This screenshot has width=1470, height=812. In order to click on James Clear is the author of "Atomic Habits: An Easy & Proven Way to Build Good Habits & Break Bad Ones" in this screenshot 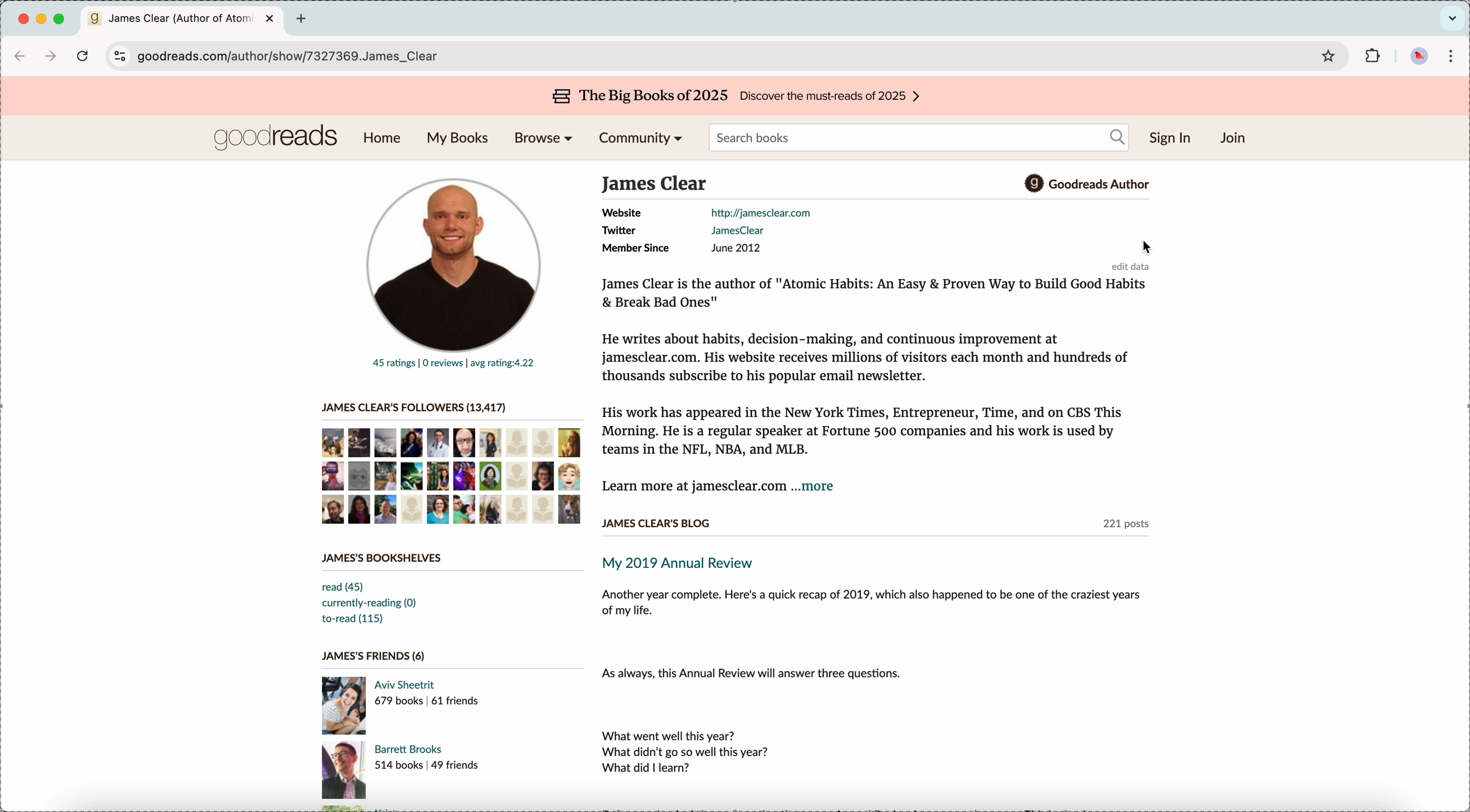, I will do `click(876, 295)`.